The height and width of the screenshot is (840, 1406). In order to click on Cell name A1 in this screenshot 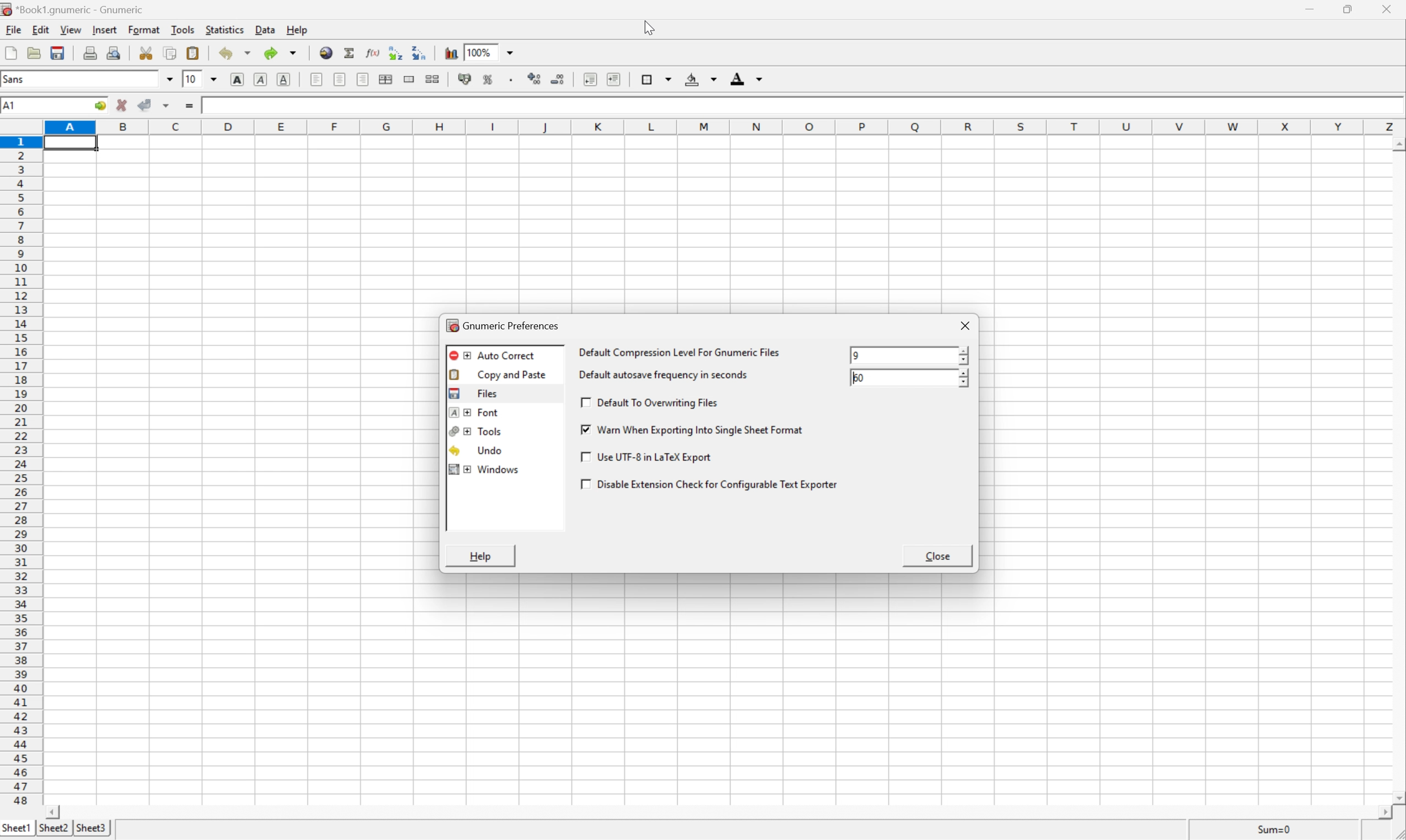, I will do `click(39, 106)`.